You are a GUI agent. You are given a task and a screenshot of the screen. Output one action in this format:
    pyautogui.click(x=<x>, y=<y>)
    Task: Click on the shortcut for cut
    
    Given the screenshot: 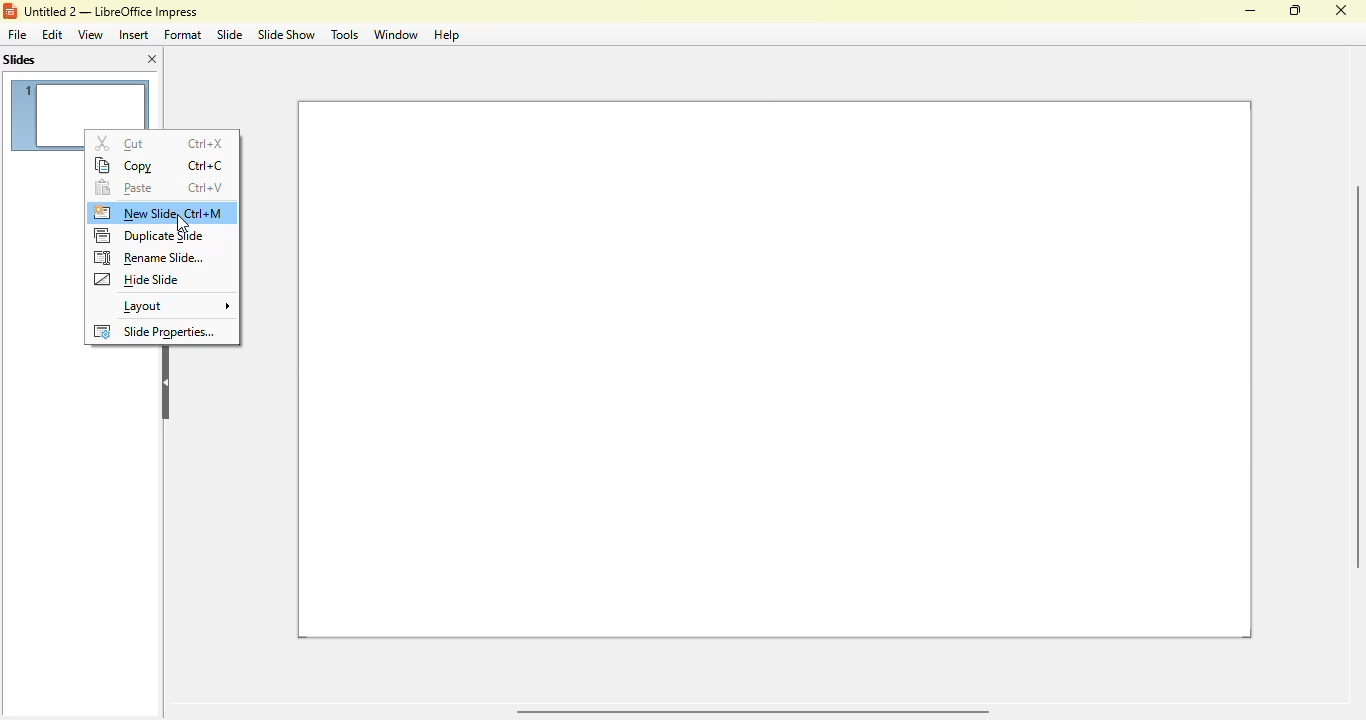 What is the action you would take?
    pyautogui.click(x=207, y=145)
    